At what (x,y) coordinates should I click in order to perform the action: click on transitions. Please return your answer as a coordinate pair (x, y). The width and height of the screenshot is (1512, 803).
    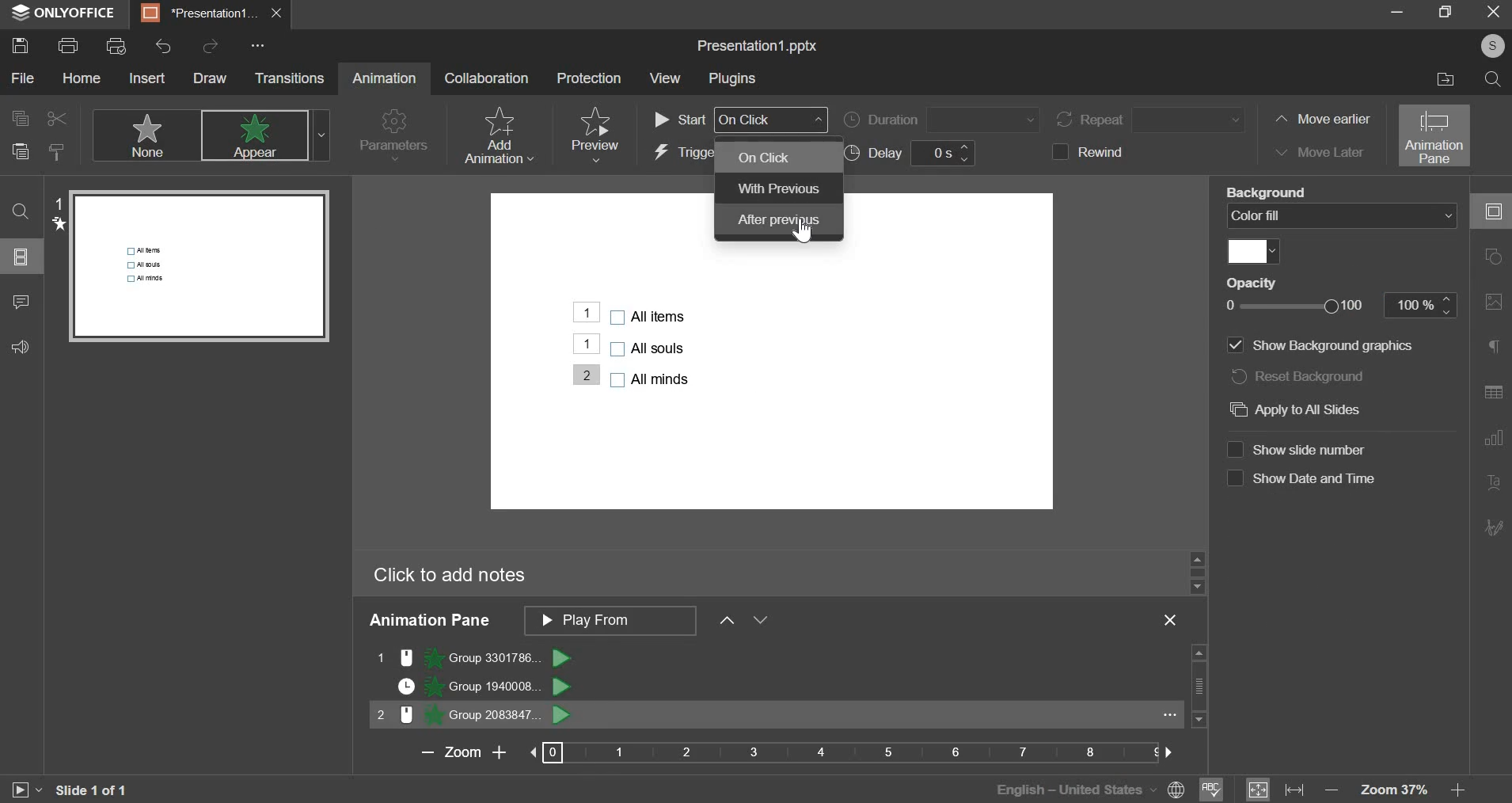
    Looking at the image, I should click on (289, 78).